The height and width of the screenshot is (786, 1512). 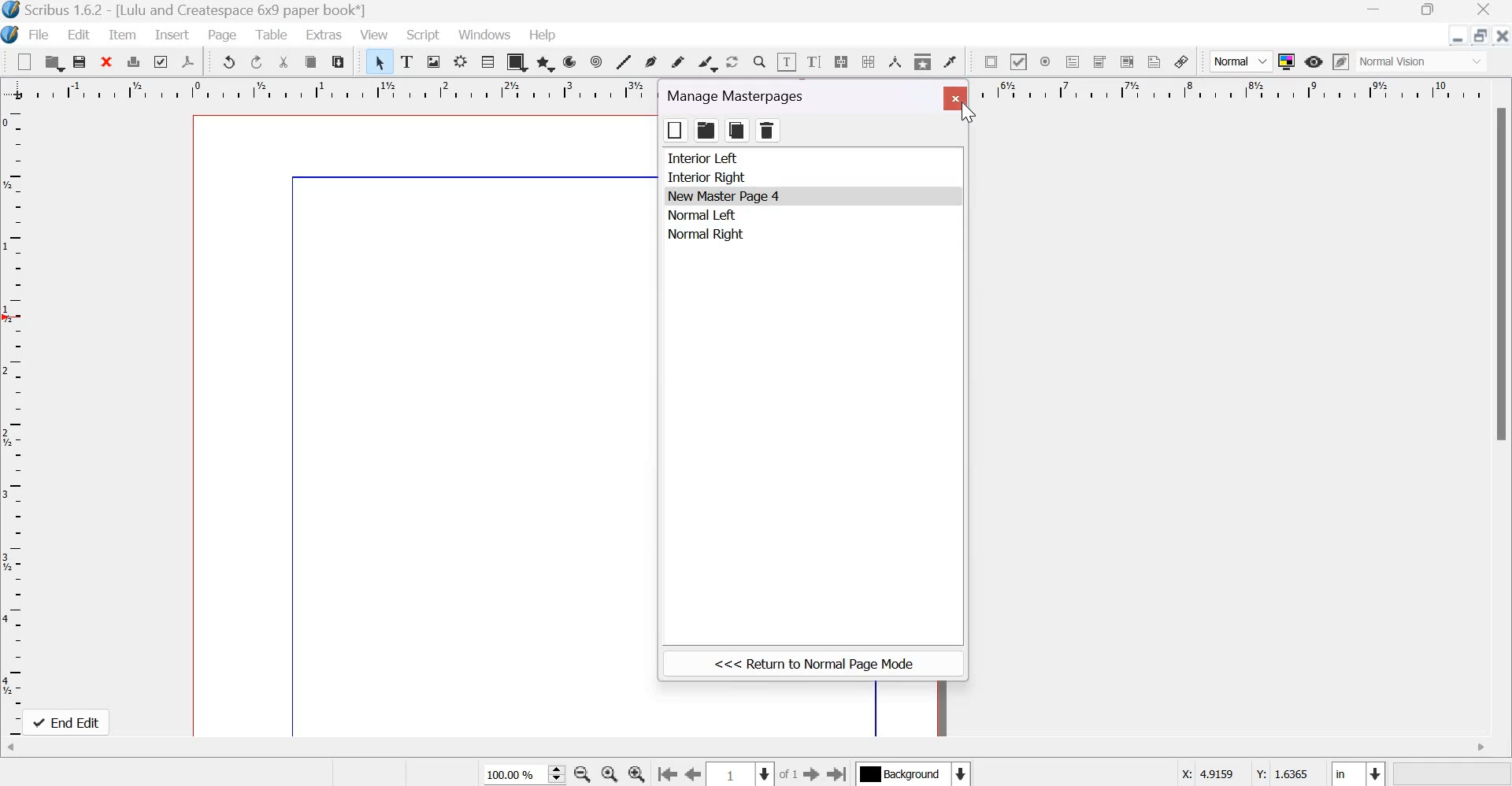 I want to click on X coordinates, so click(x=1209, y=775).